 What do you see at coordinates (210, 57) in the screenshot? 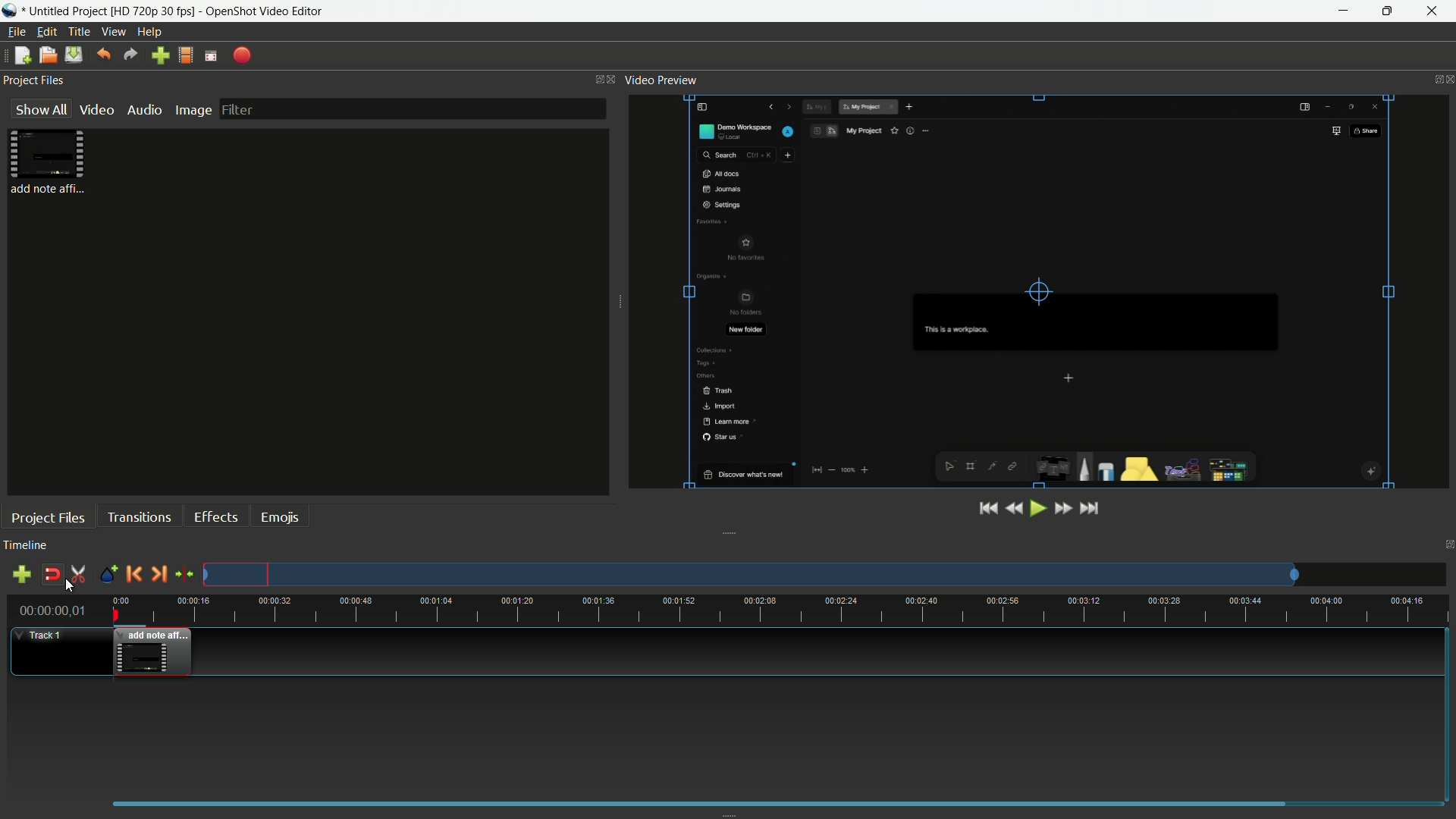
I see `fullscreen` at bounding box center [210, 57].